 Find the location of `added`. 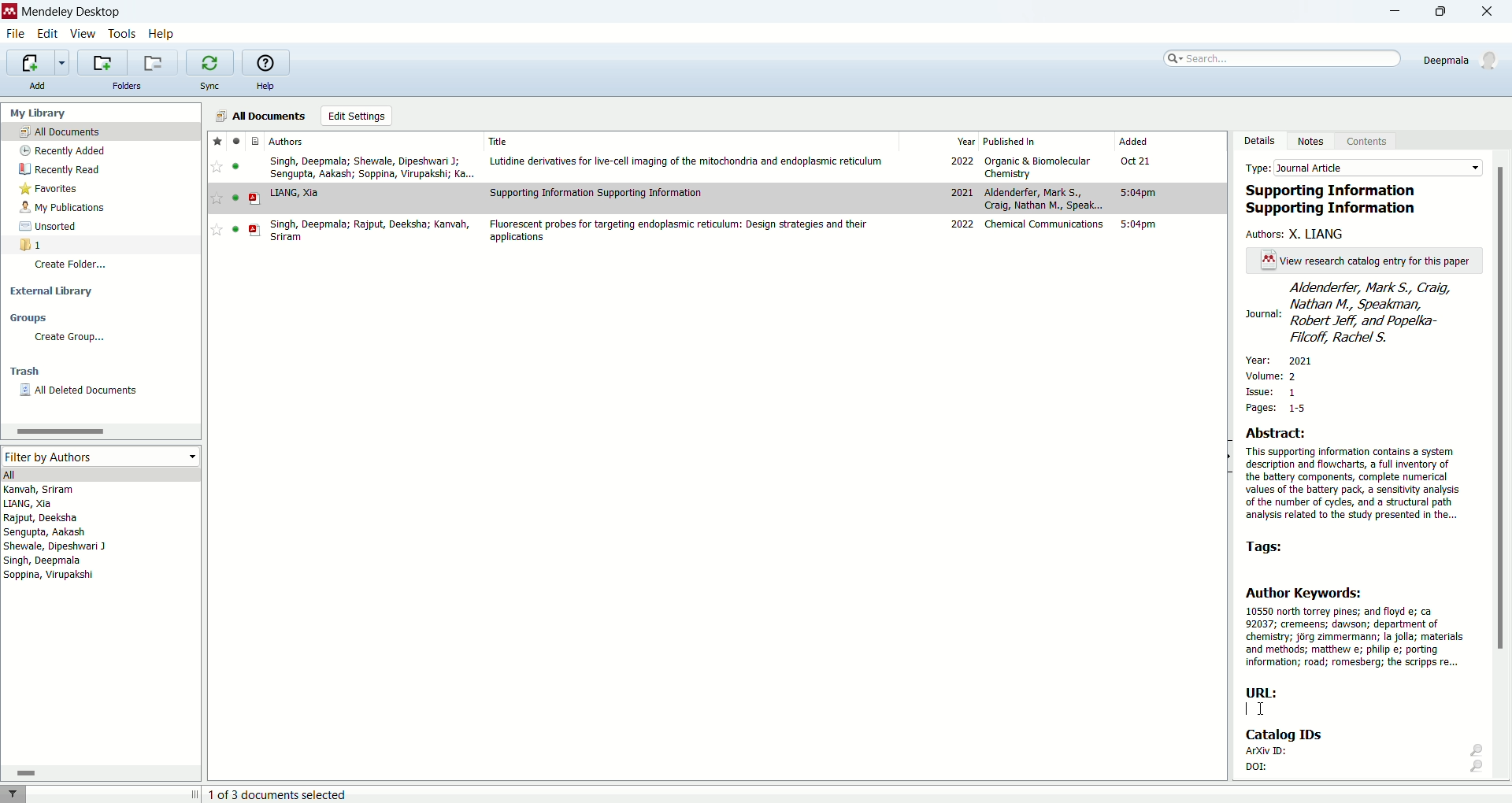

added is located at coordinates (1133, 140).